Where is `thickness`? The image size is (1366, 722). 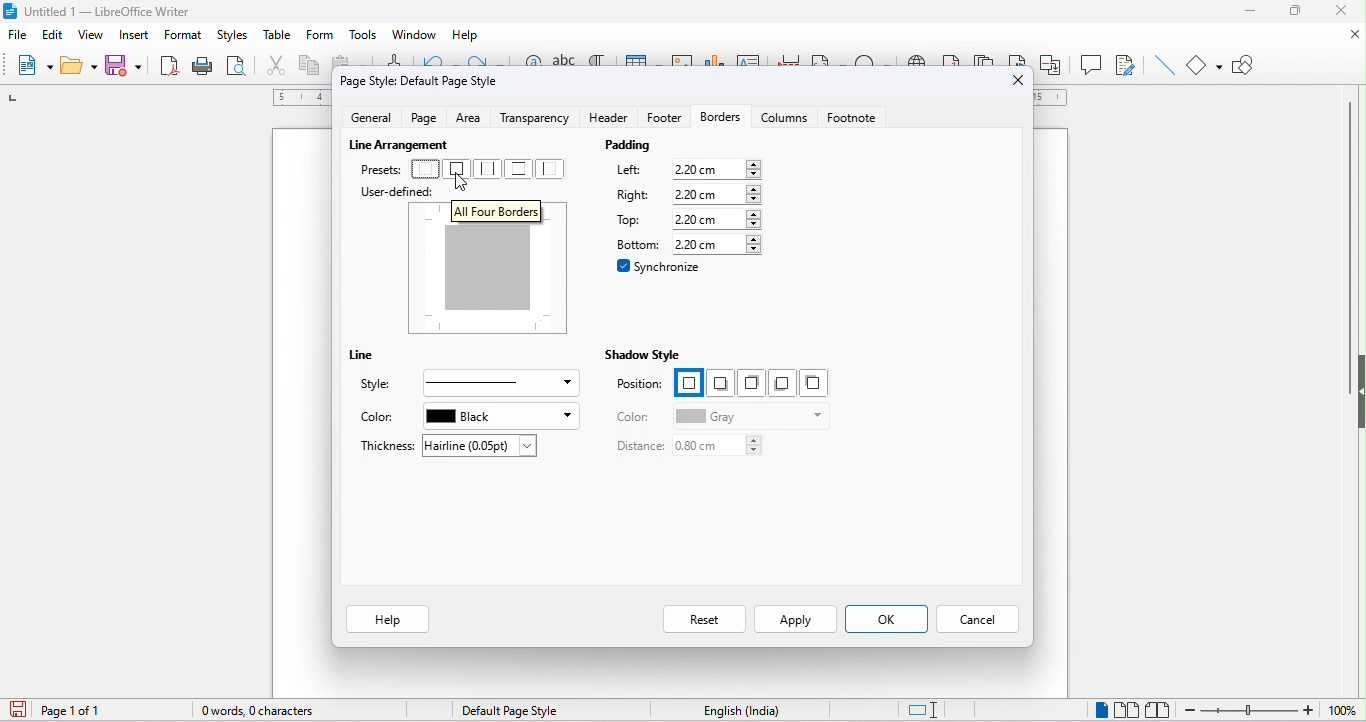 thickness is located at coordinates (386, 447).